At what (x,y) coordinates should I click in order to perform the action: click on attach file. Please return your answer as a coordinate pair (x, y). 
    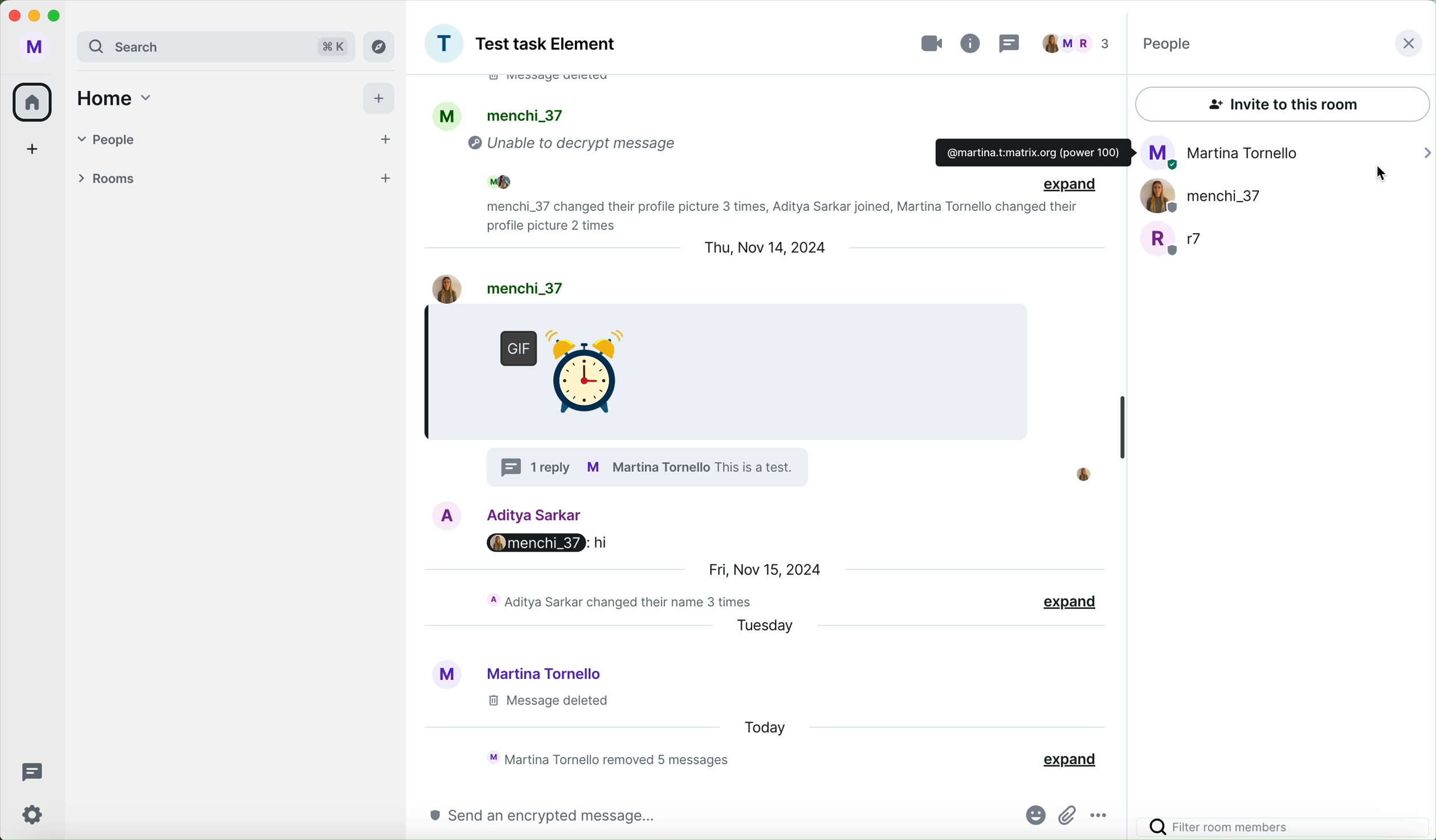
    Looking at the image, I should click on (1068, 813).